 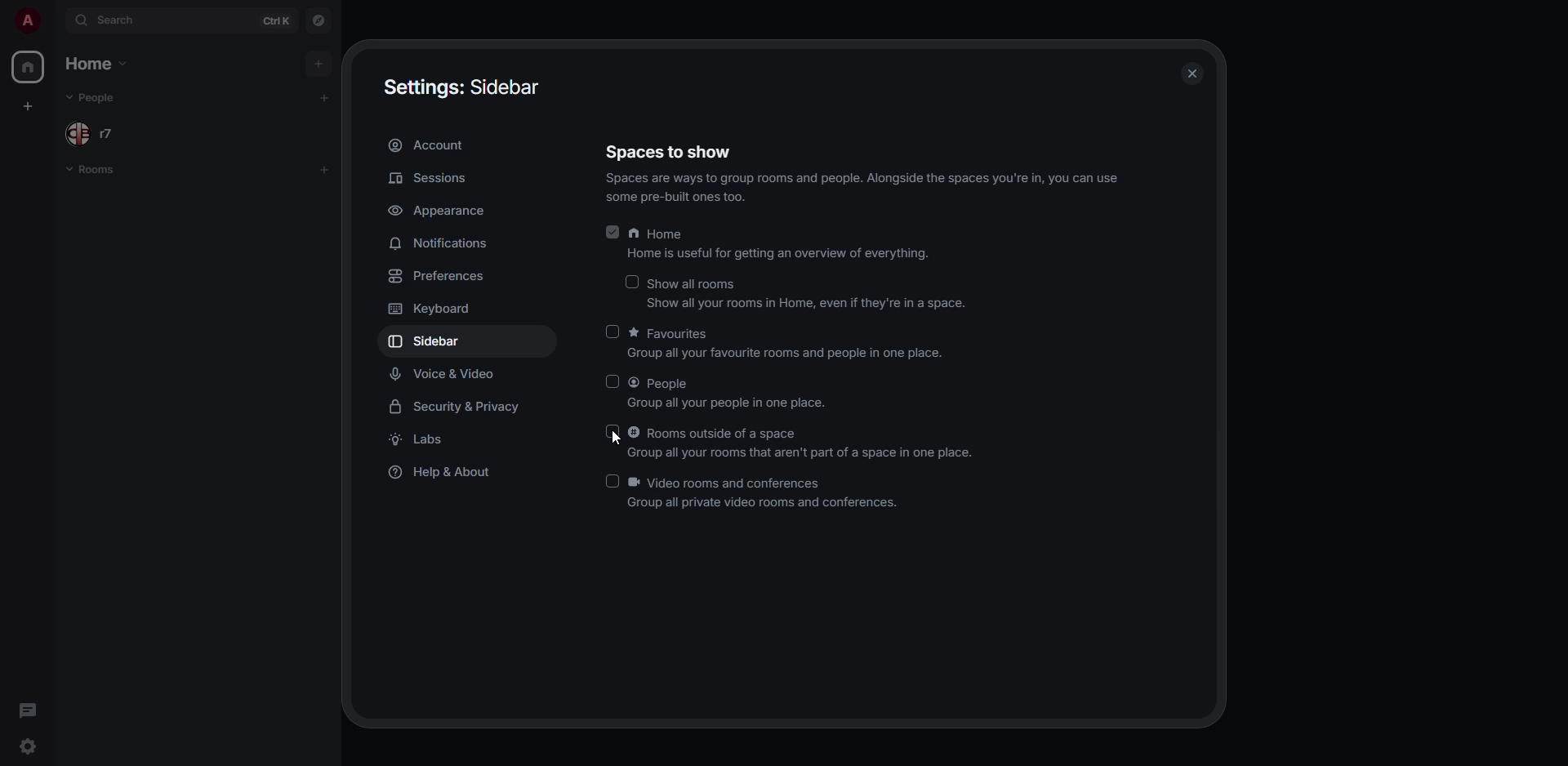 What do you see at coordinates (93, 64) in the screenshot?
I see `home` at bounding box center [93, 64].